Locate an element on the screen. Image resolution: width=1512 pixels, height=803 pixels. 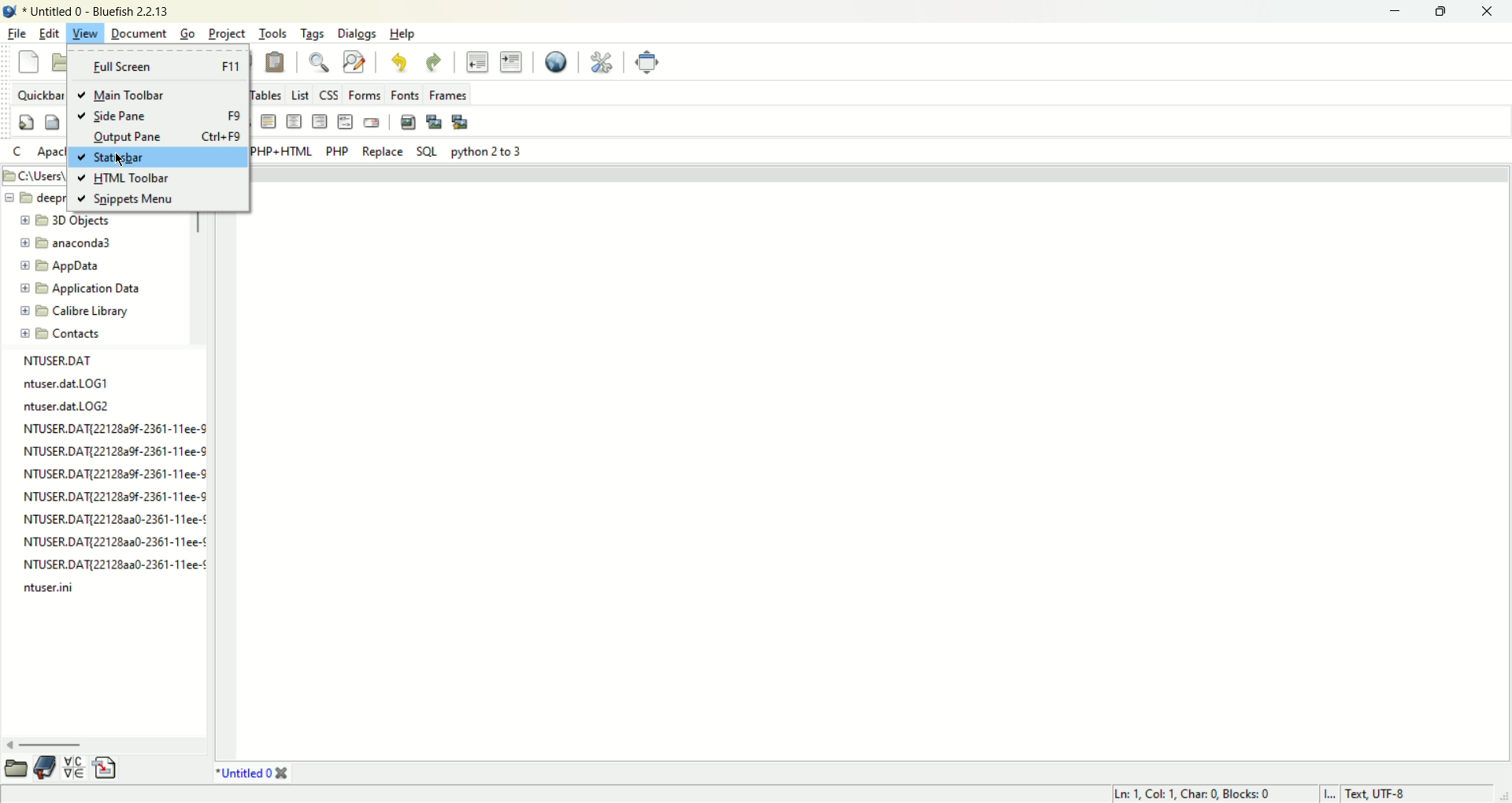
email is located at coordinates (372, 124).